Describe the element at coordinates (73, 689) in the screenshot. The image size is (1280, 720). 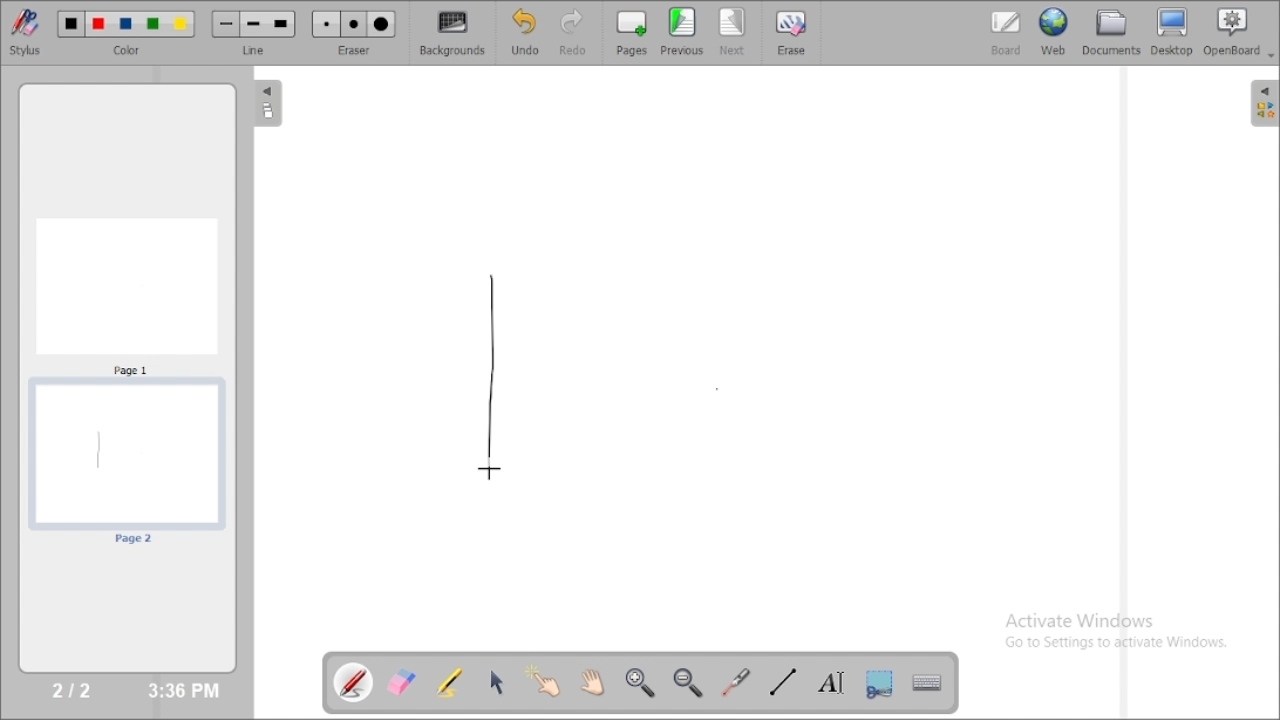
I see `2/2` at that location.